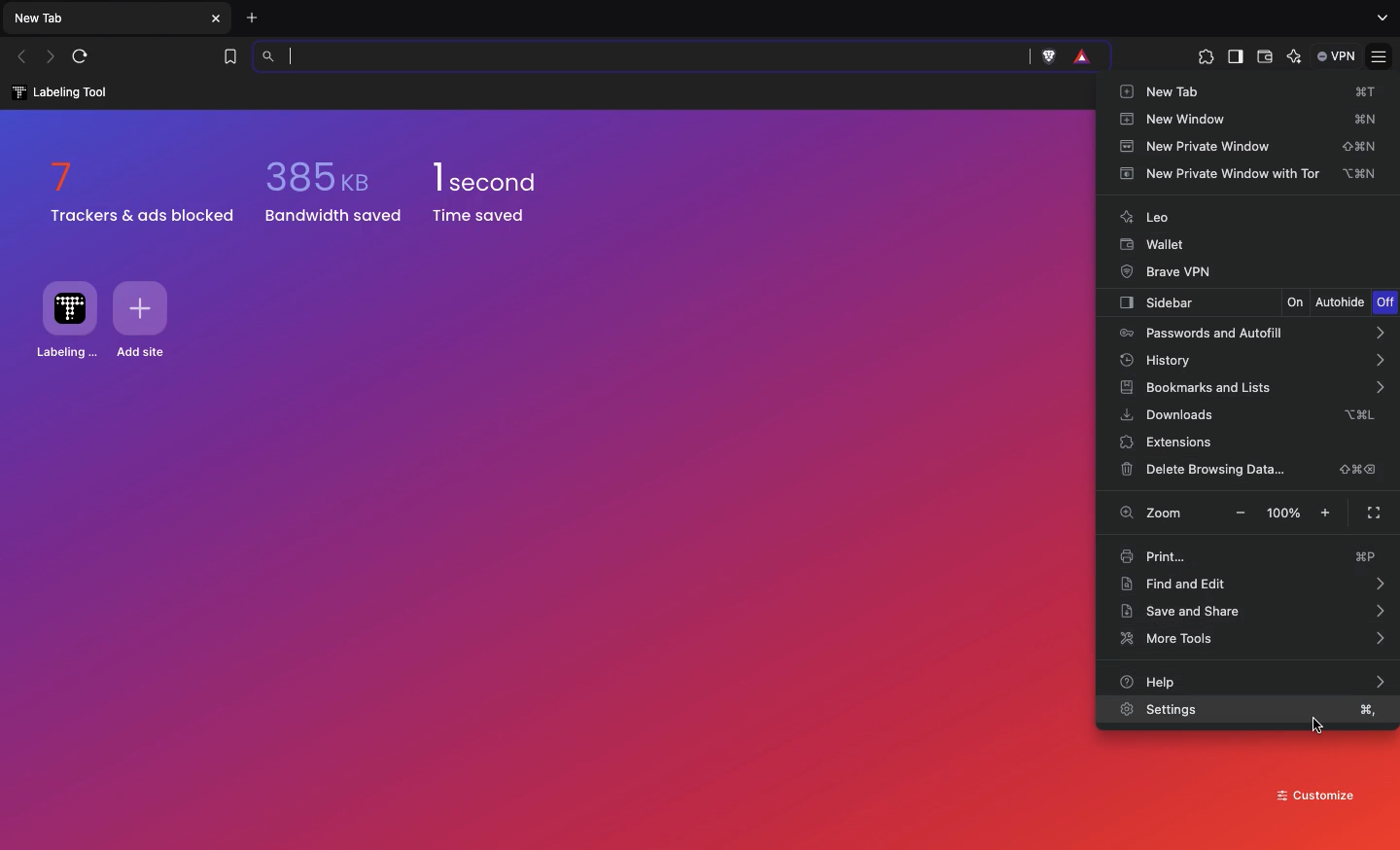 This screenshot has width=1400, height=850. What do you see at coordinates (1254, 639) in the screenshot?
I see `More tools` at bounding box center [1254, 639].